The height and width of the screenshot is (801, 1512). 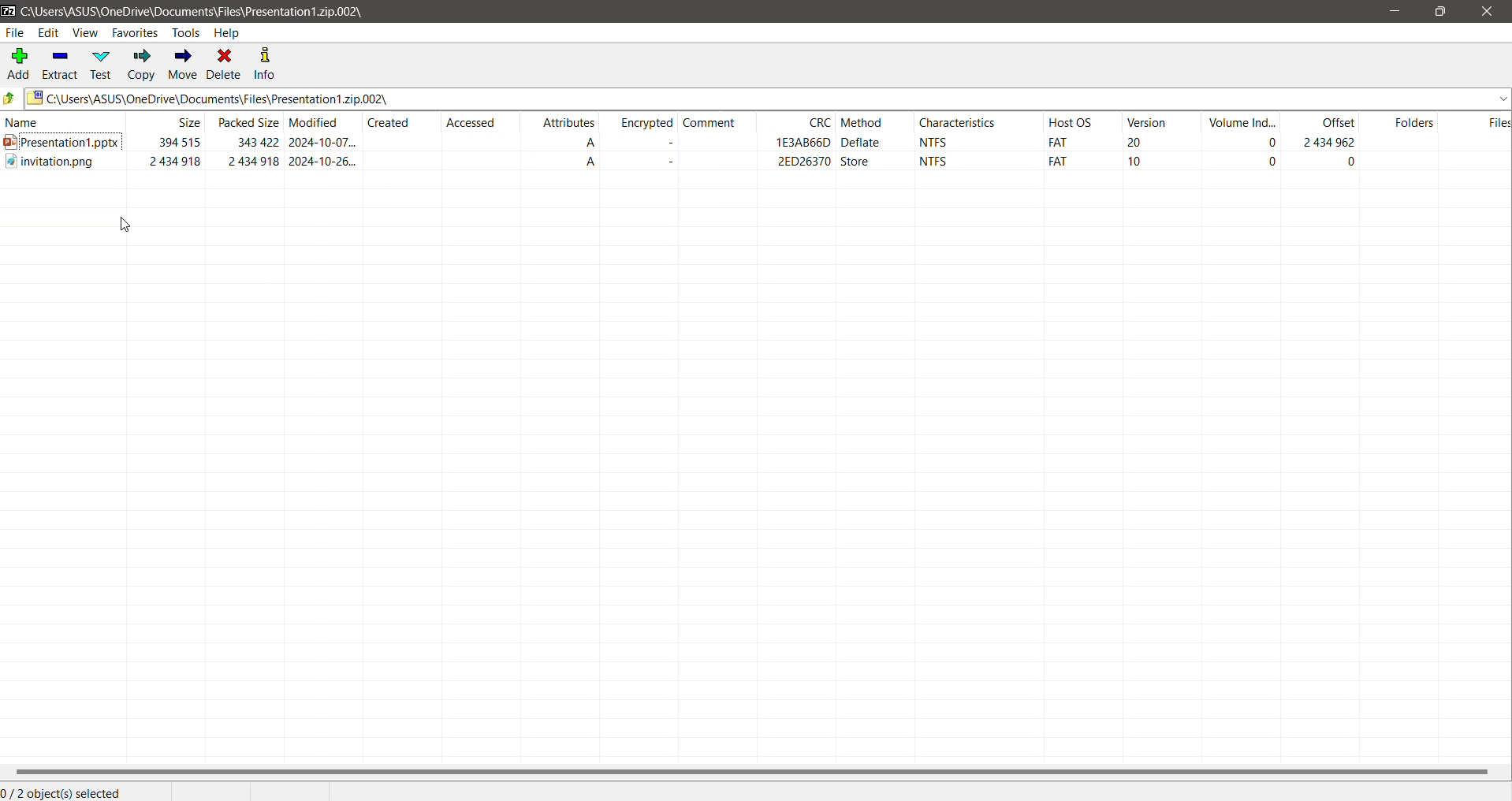 What do you see at coordinates (1156, 121) in the screenshot?
I see `Version` at bounding box center [1156, 121].